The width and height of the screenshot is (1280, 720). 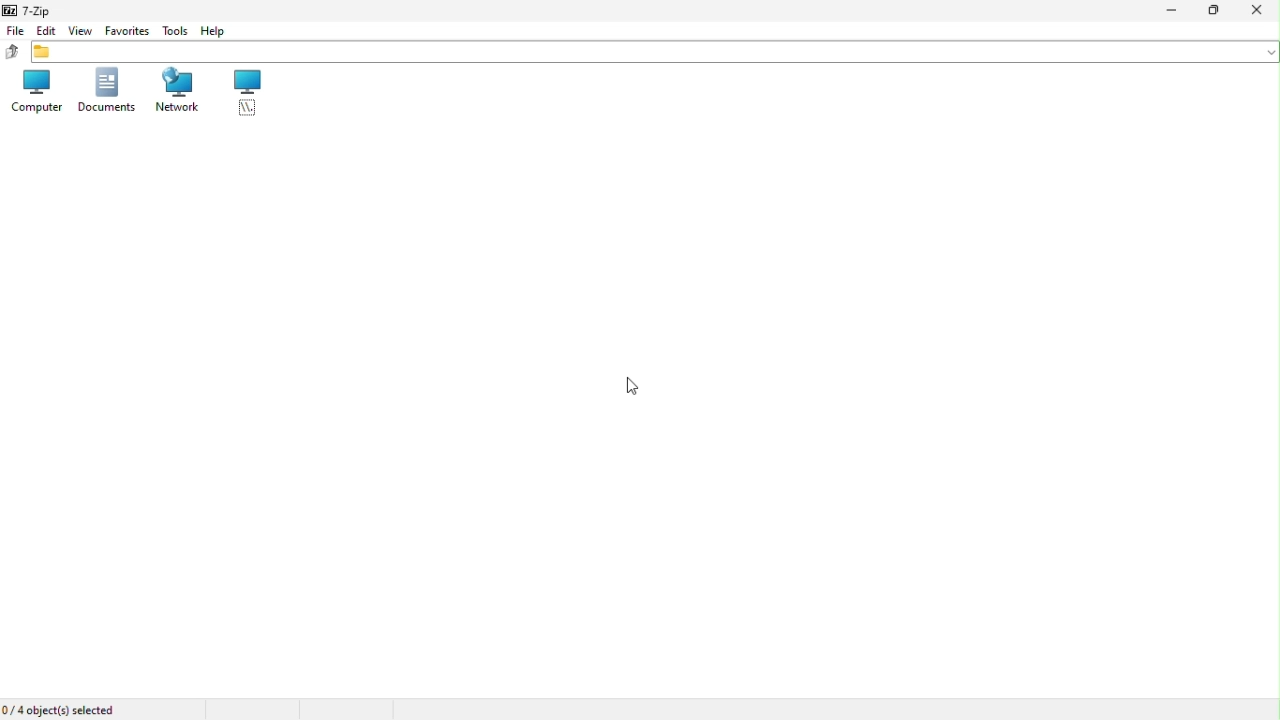 What do you see at coordinates (1260, 12) in the screenshot?
I see `Close` at bounding box center [1260, 12].